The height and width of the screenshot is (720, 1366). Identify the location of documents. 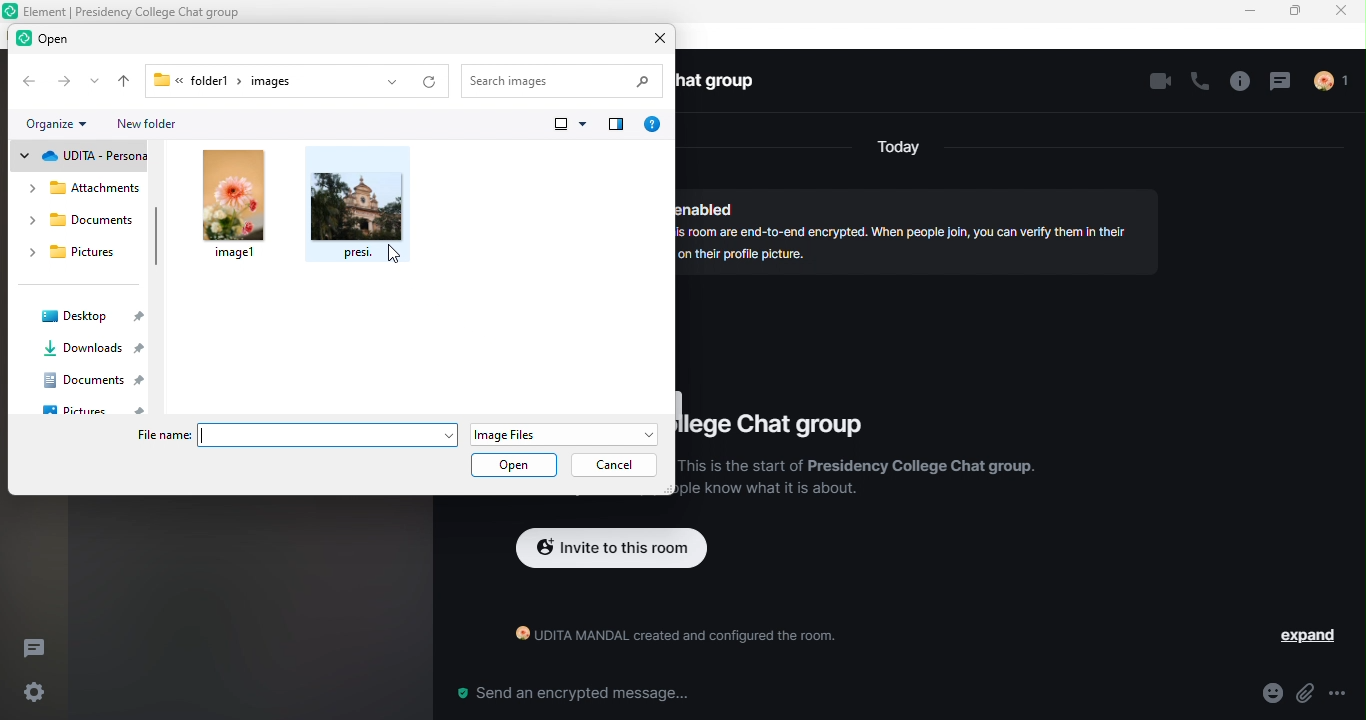
(96, 381).